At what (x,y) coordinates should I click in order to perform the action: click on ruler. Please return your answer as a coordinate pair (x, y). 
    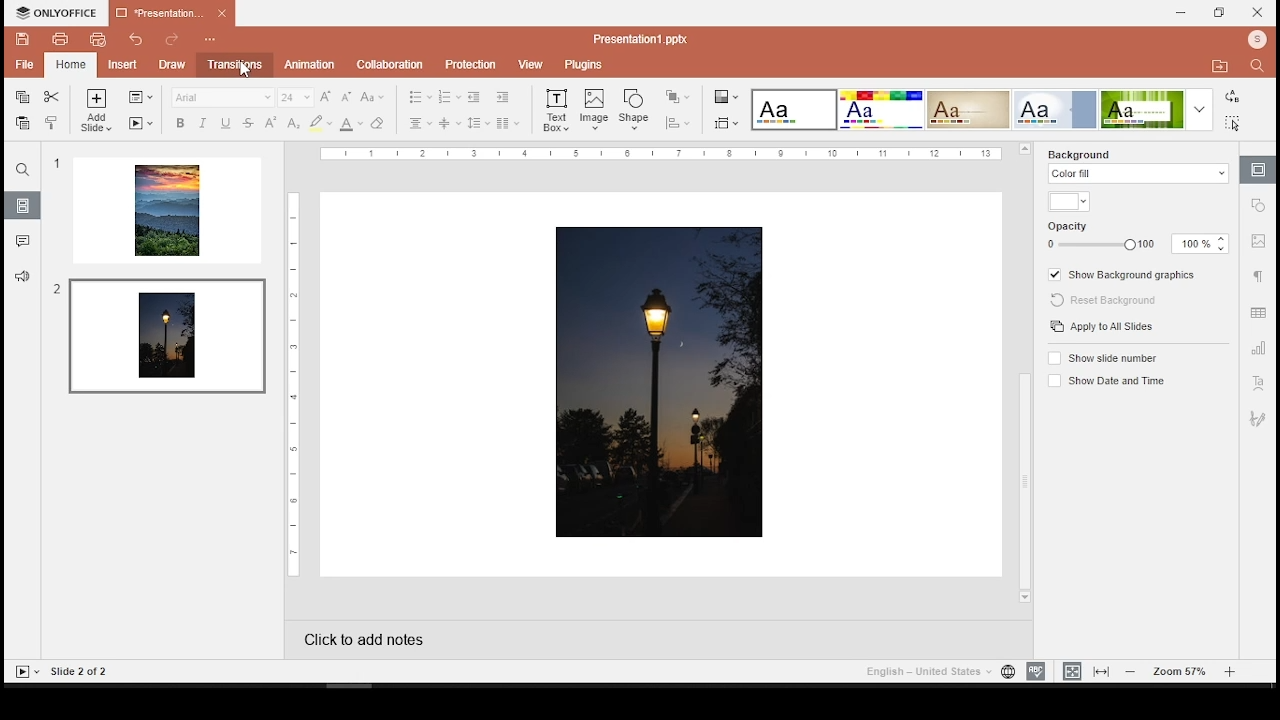
    Looking at the image, I should click on (288, 384).